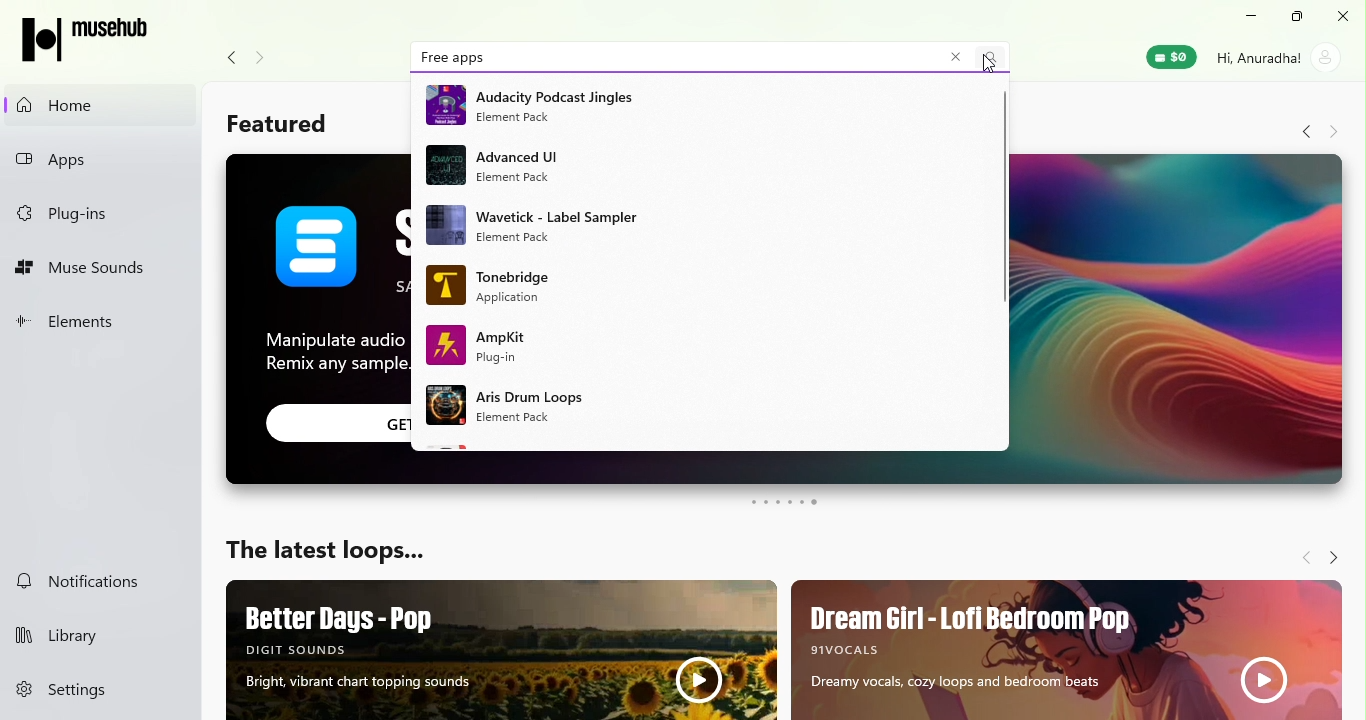  Describe the element at coordinates (702, 288) in the screenshot. I see `Ad` at that location.